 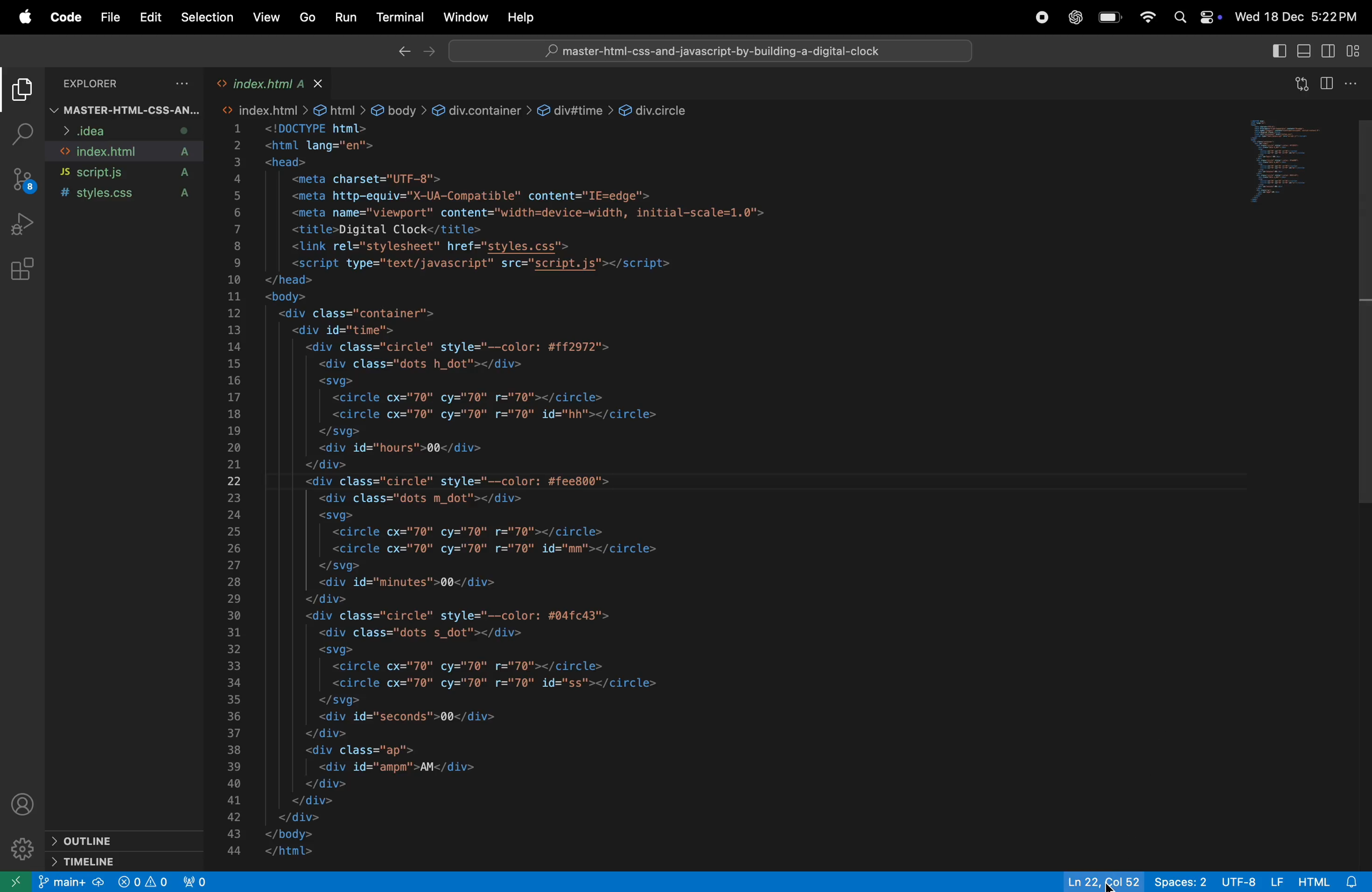 What do you see at coordinates (66, 16) in the screenshot?
I see `code` at bounding box center [66, 16].